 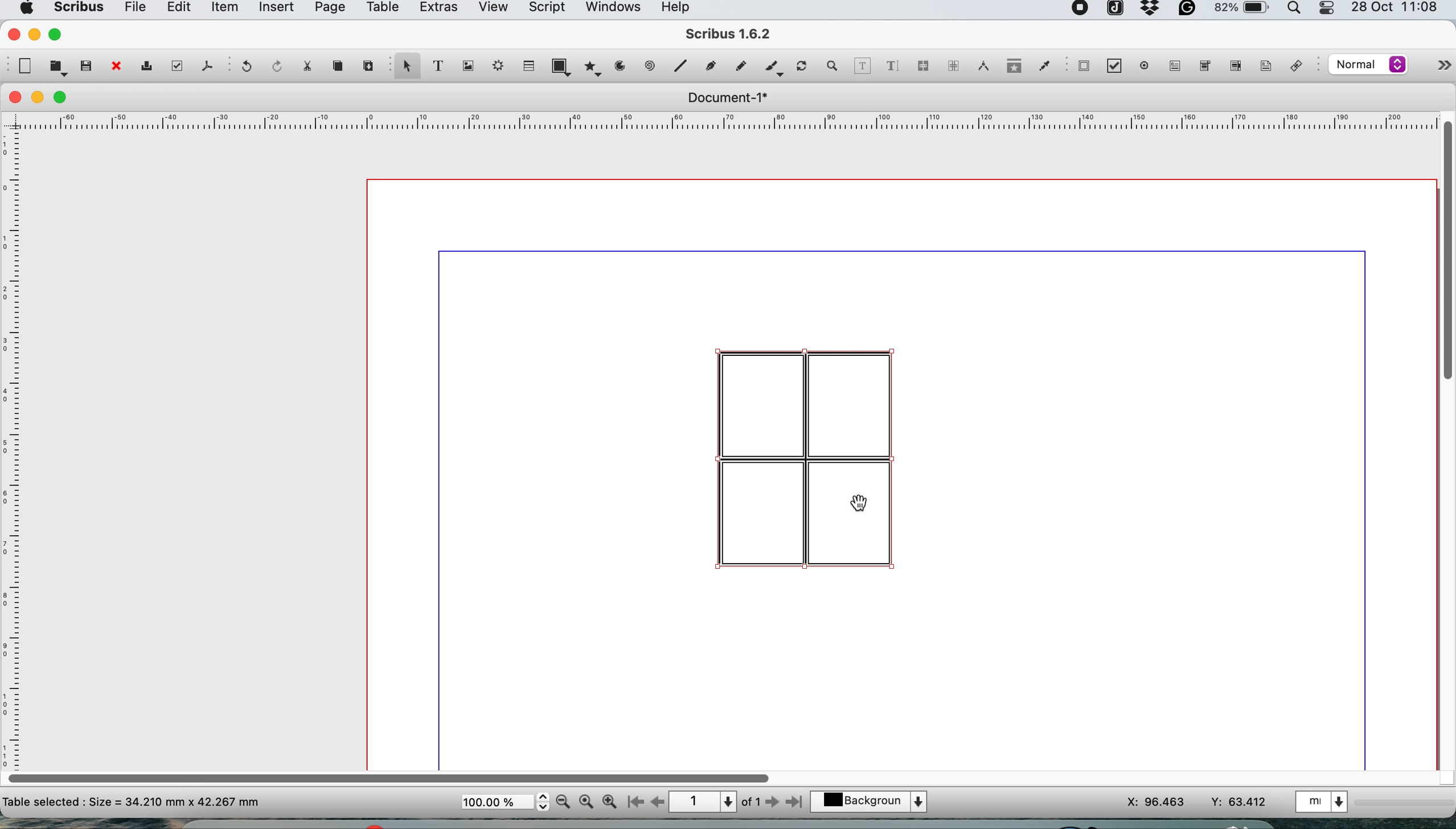 What do you see at coordinates (381, 9) in the screenshot?
I see `table` at bounding box center [381, 9].